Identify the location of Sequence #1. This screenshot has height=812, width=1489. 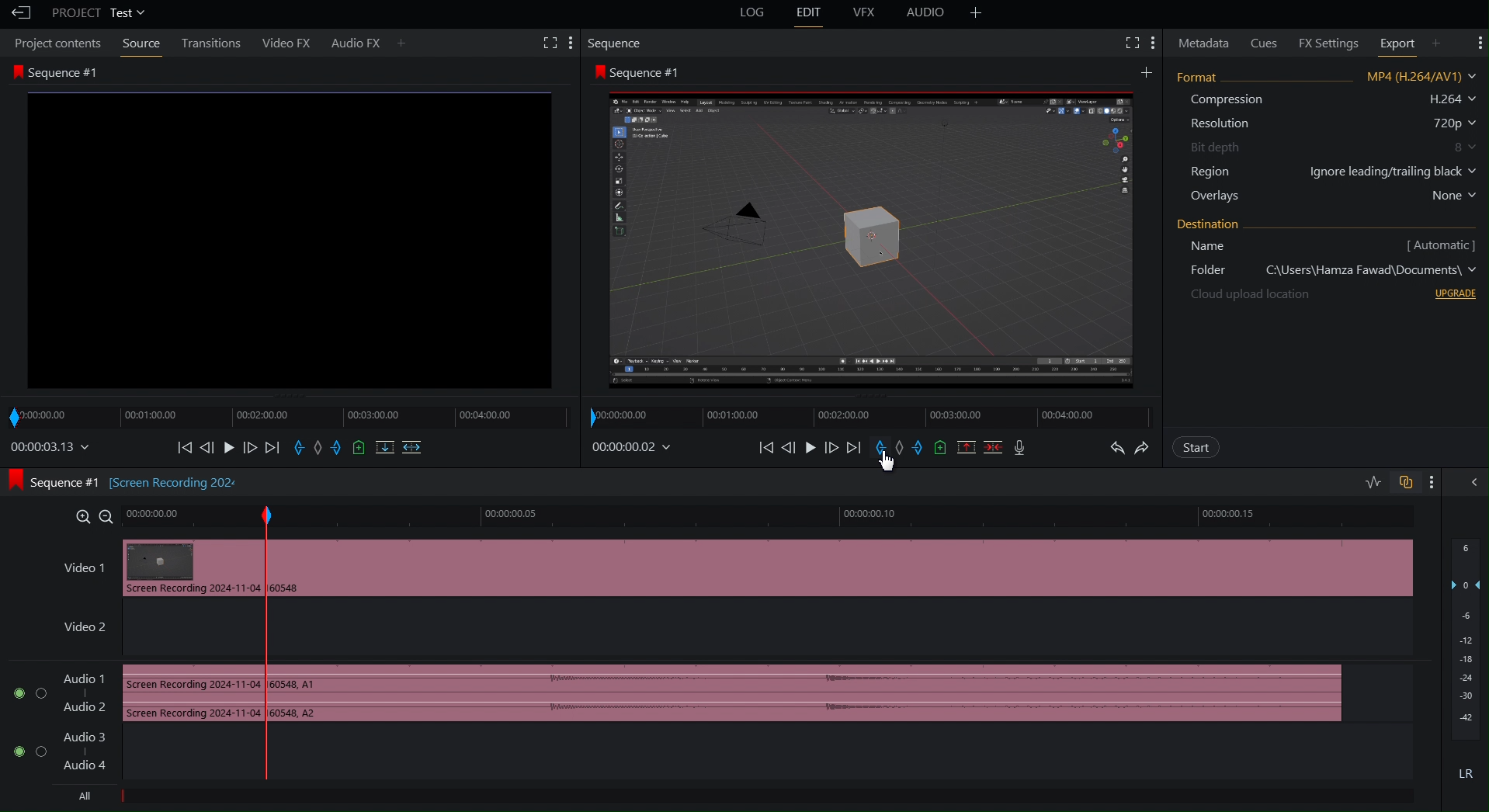
(286, 227).